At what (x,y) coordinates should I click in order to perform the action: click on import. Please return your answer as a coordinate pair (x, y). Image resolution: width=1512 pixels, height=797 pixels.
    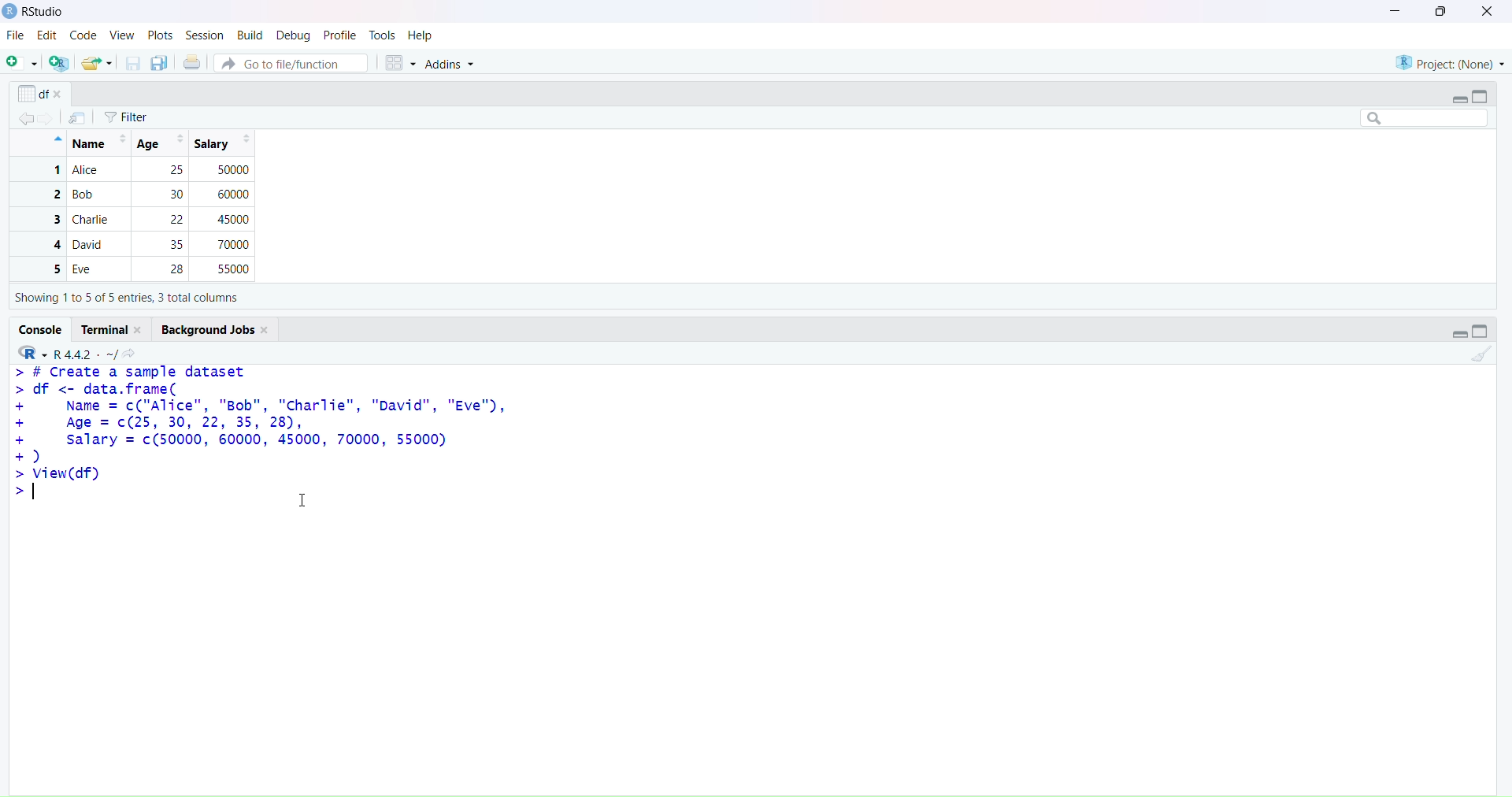
    Looking at the image, I should click on (78, 117).